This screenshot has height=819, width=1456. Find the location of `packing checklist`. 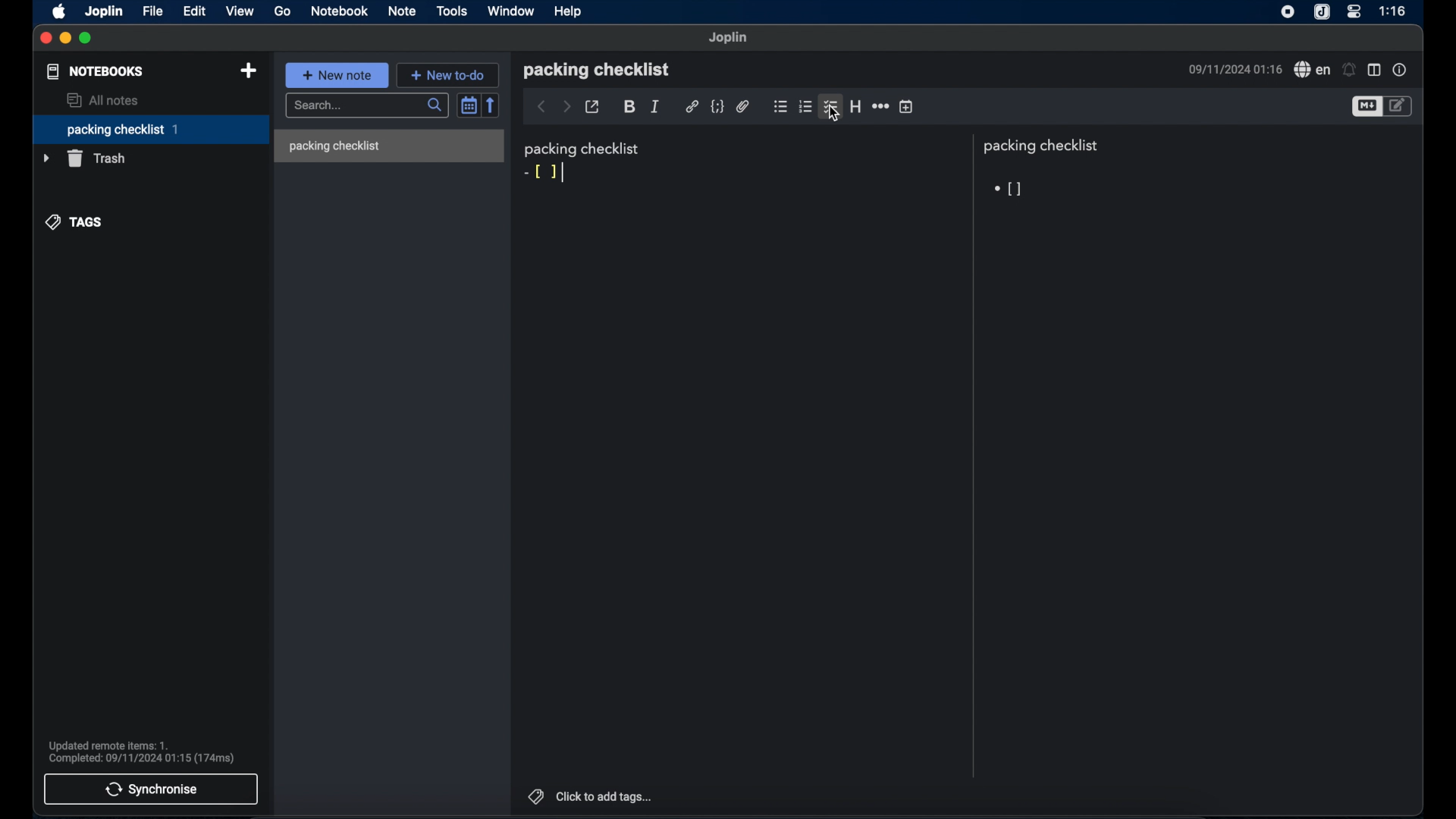

packing checklist is located at coordinates (150, 130).